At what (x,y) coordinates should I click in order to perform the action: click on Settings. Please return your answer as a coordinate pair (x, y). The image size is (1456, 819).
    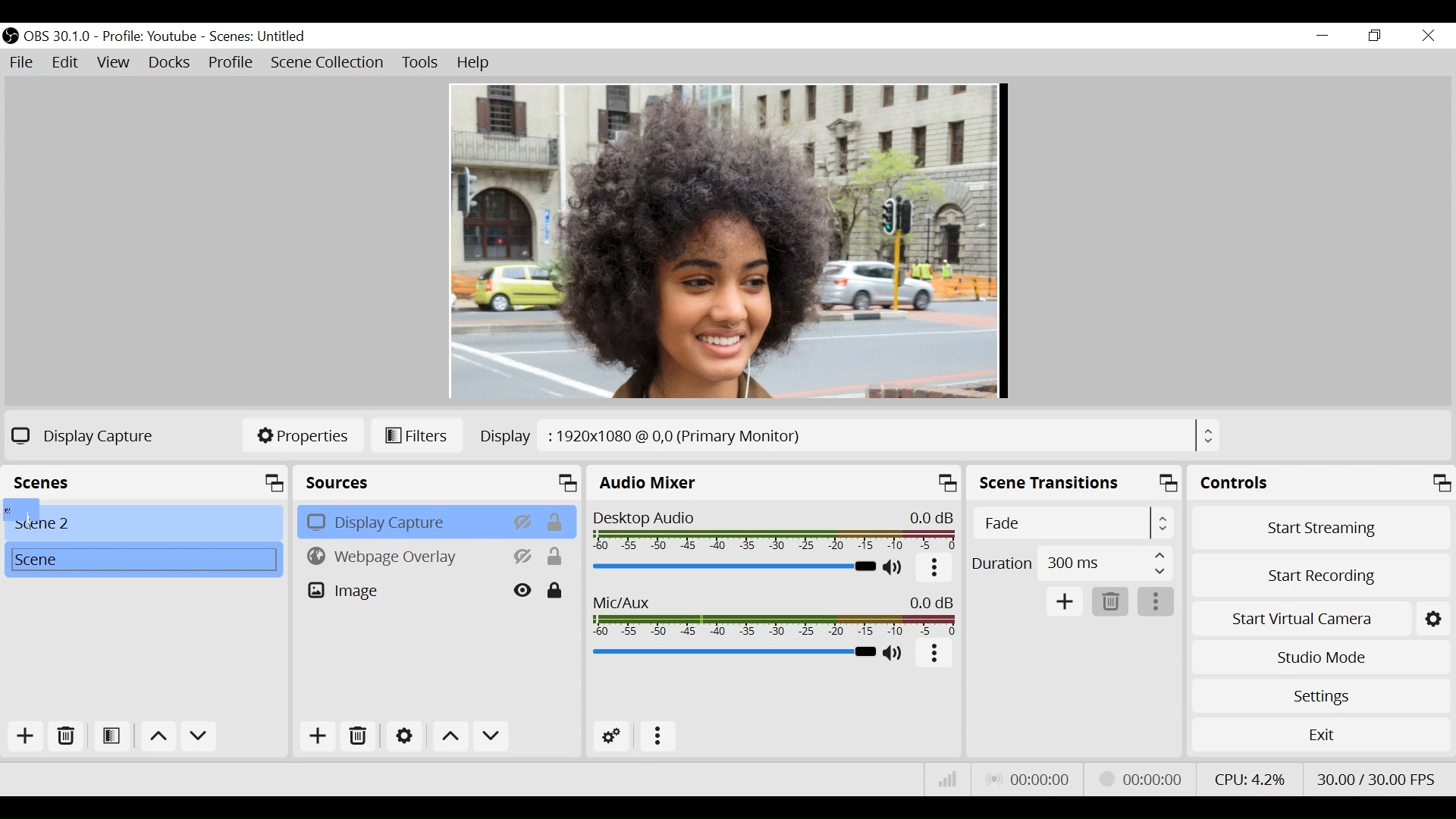
    Looking at the image, I should click on (403, 735).